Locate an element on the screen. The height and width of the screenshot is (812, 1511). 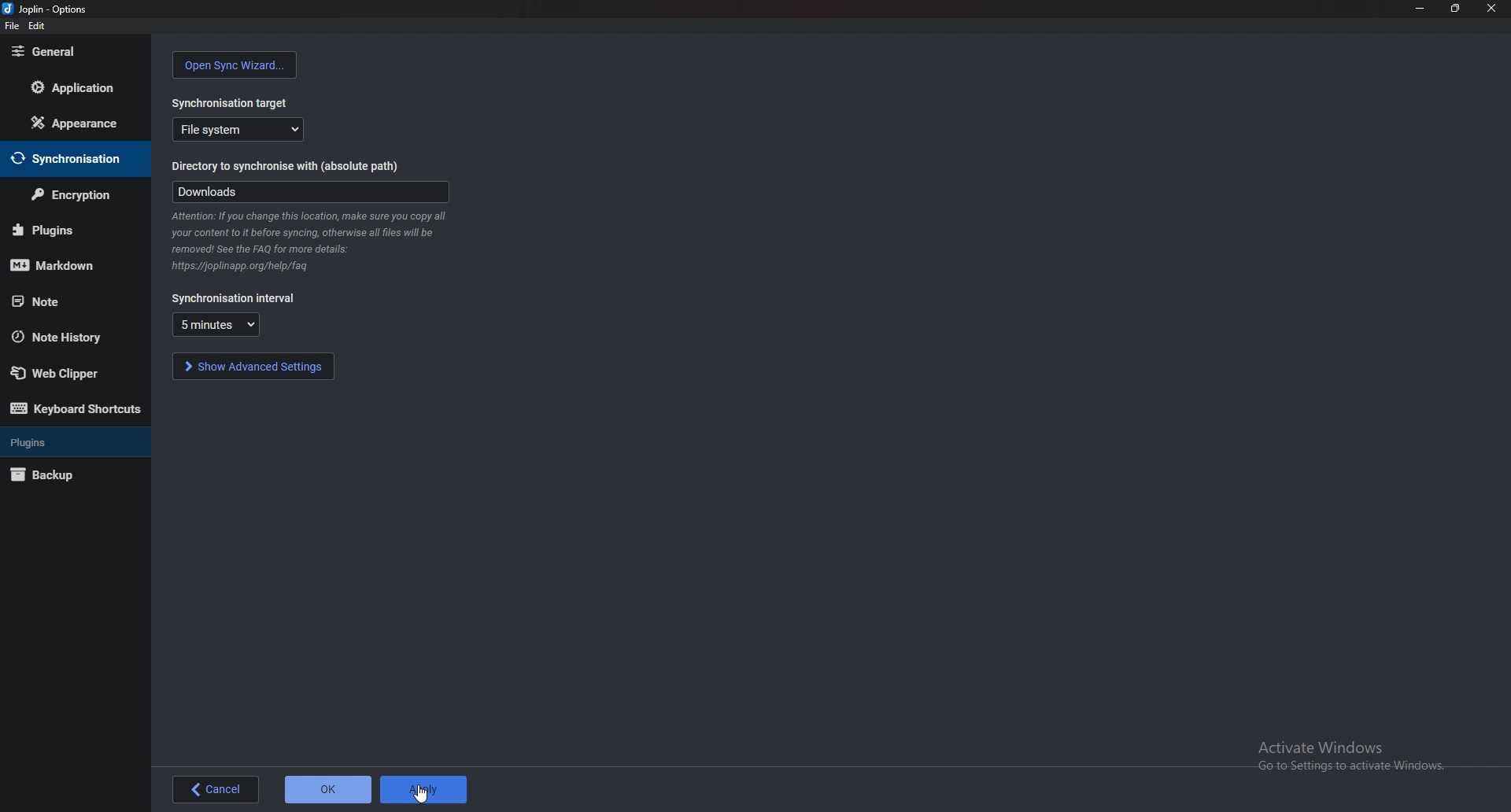
Edit is located at coordinates (35, 27).